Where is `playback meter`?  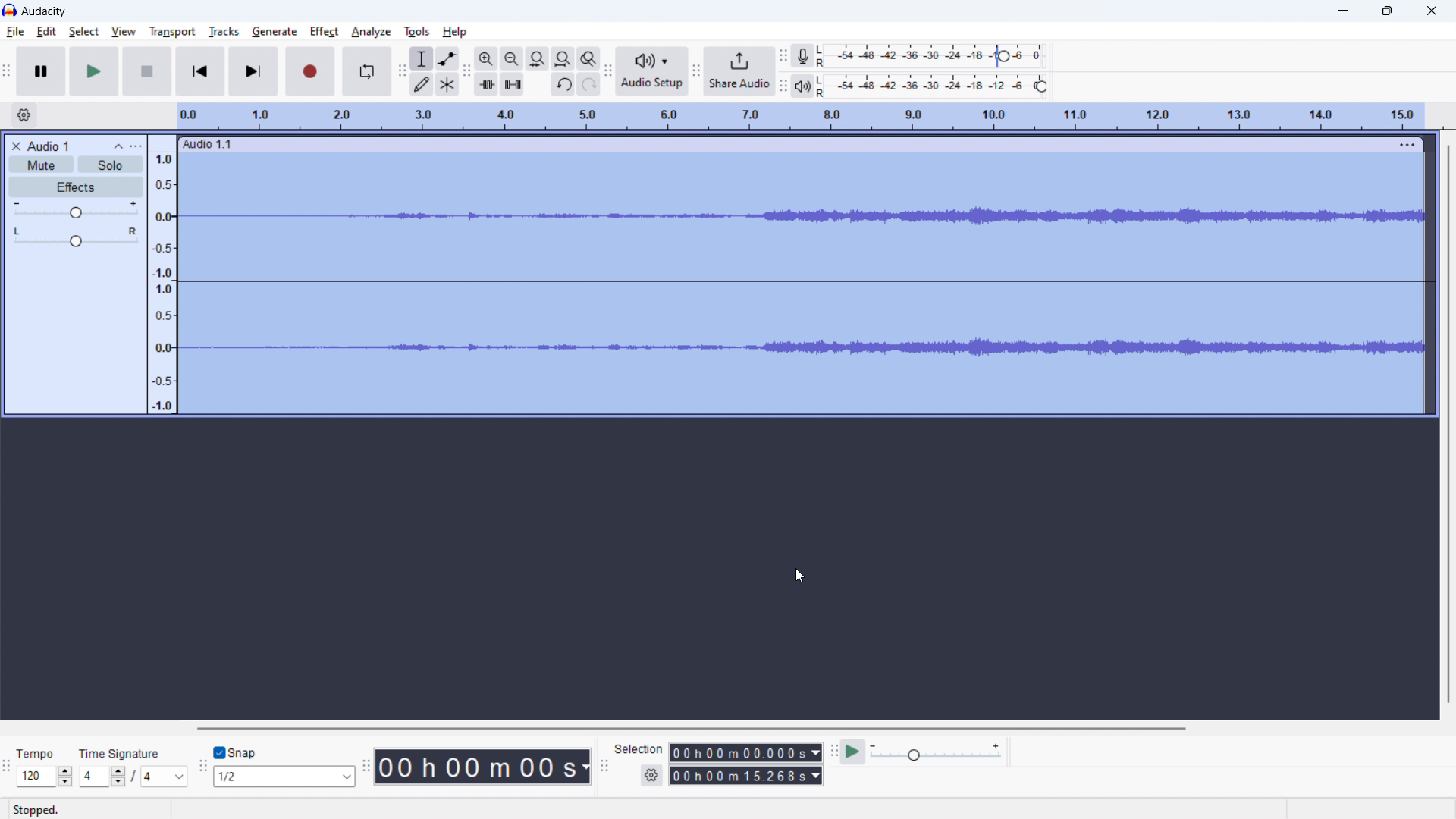
playback meter is located at coordinates (937, 86).